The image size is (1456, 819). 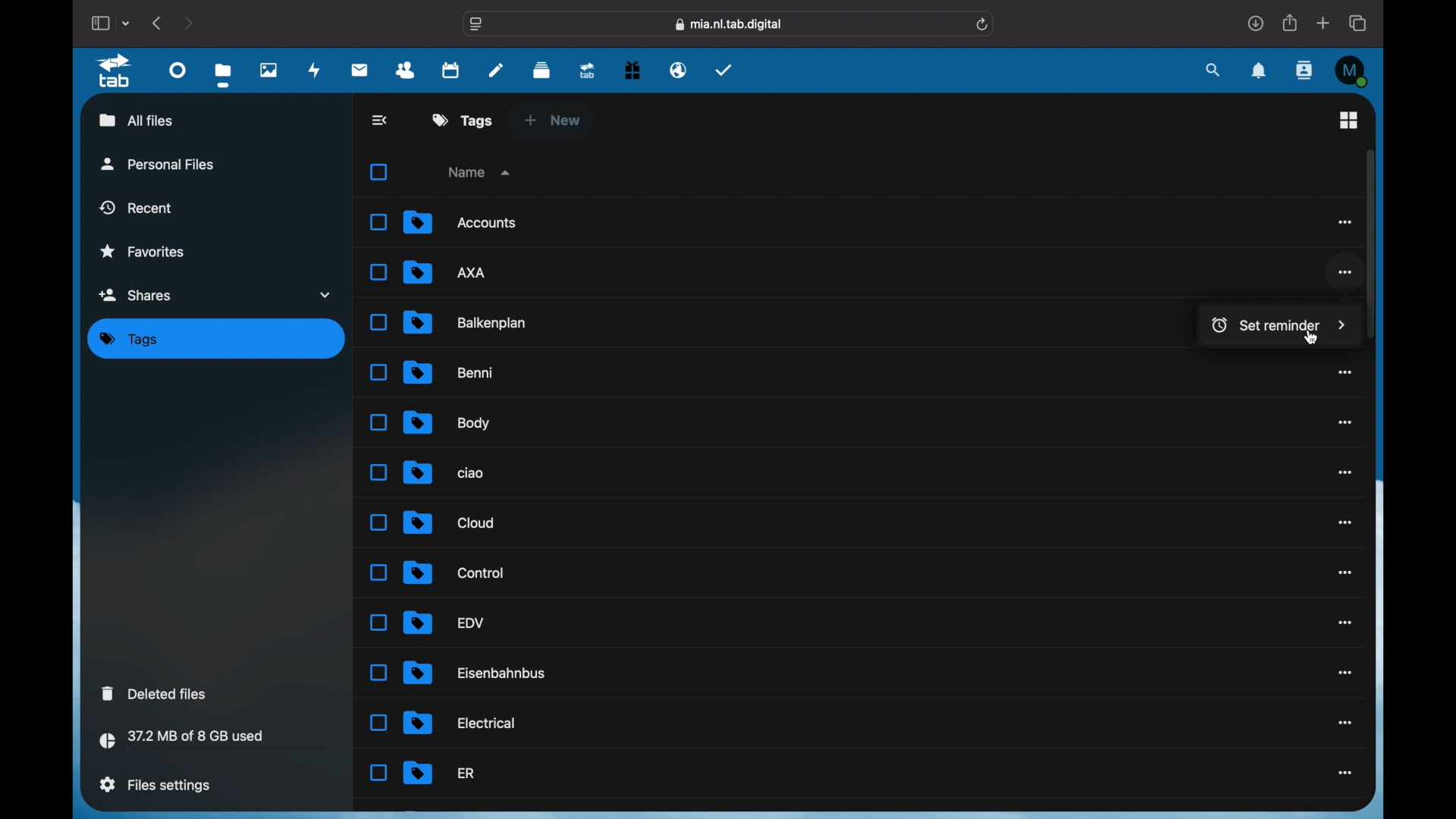 What do you see at coordinates (99, 23) in the screenshot?
I see `show sidebar` at bounding box center [99, 23].